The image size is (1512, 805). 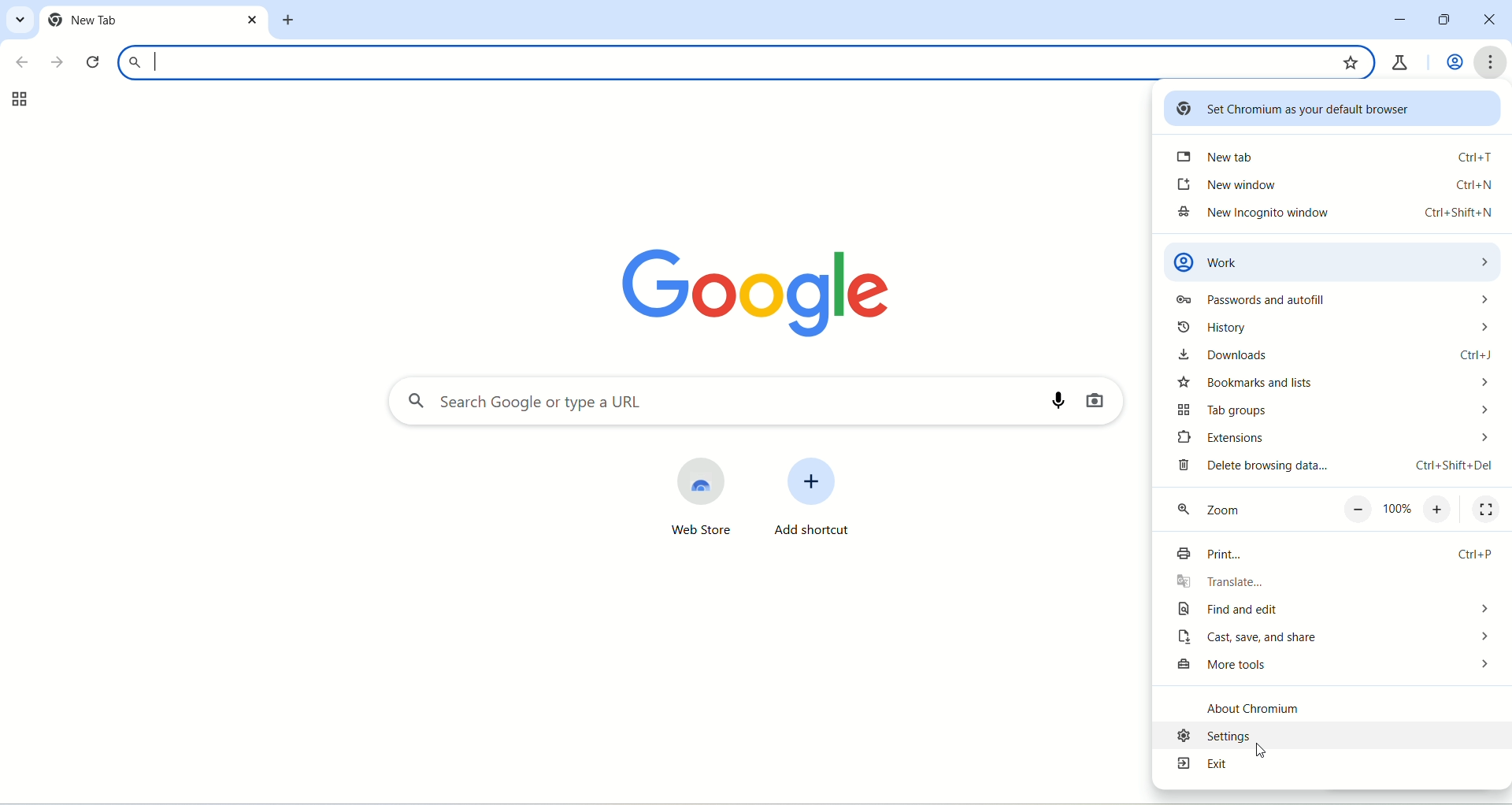 I want to click on google, so click(x=731, y=288).